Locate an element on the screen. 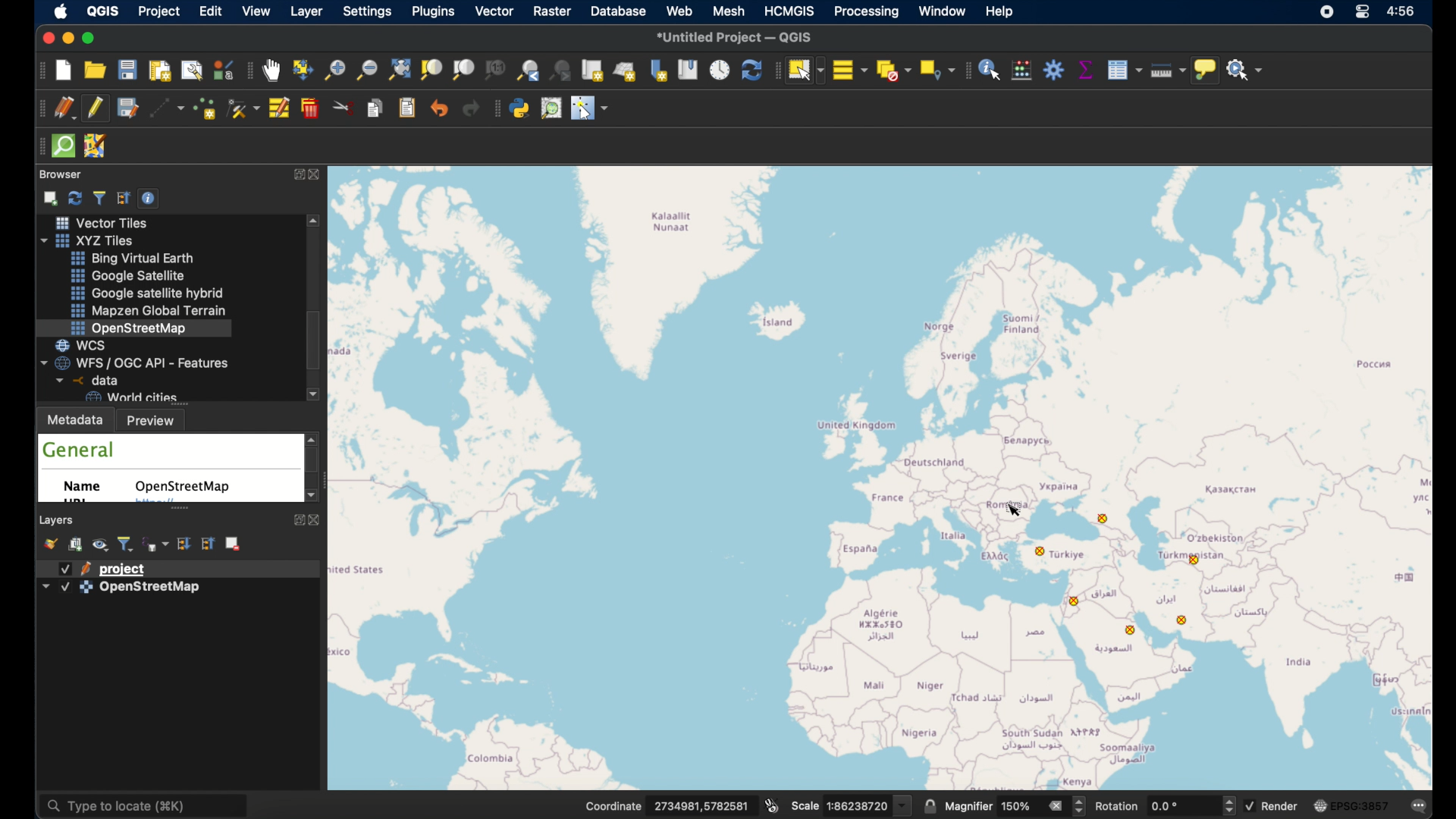 The image size is (1456, 819). name is located at coordinates (87, 489).